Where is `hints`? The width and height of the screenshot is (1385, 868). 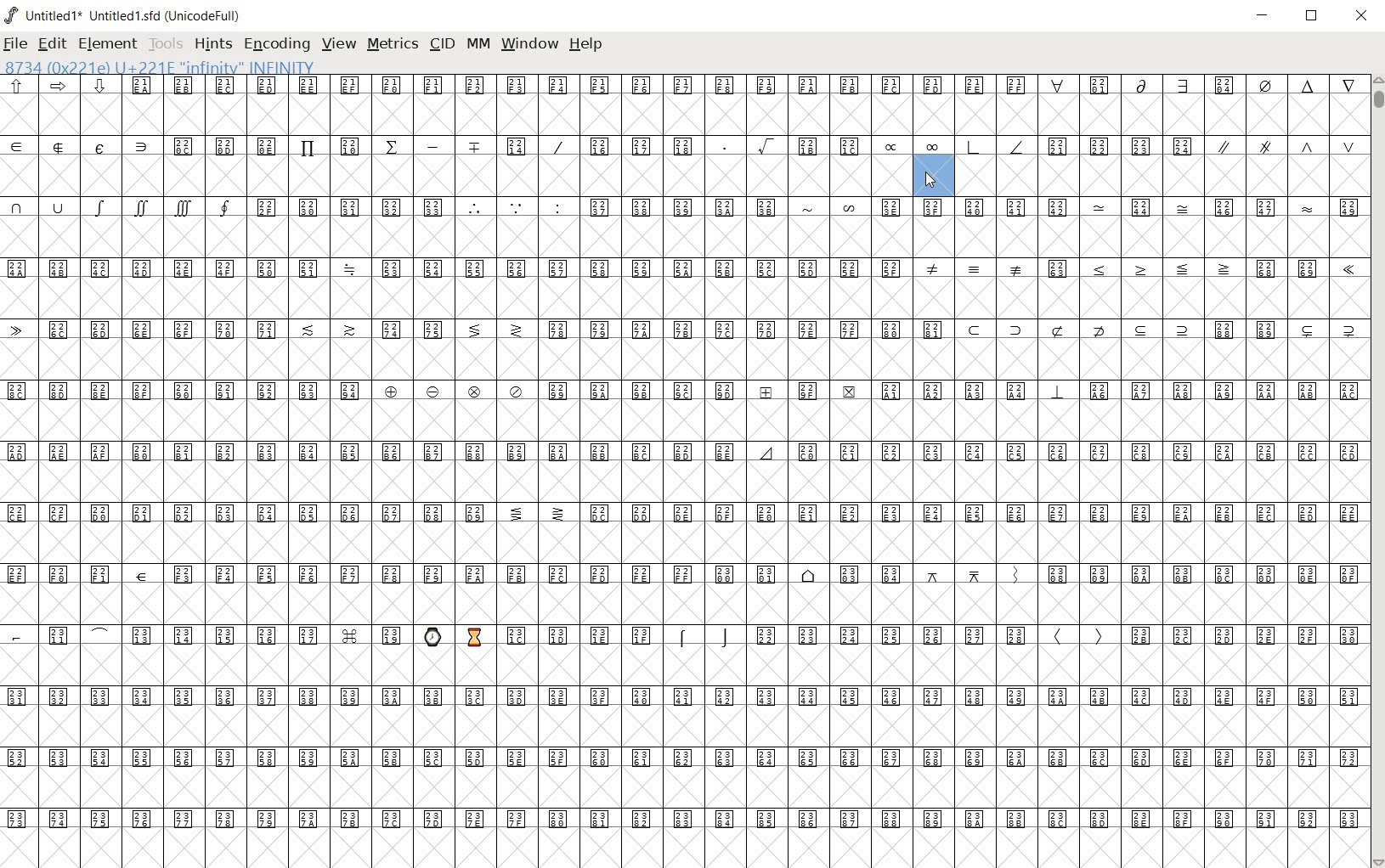 hints is located at coordinates (213, 42).